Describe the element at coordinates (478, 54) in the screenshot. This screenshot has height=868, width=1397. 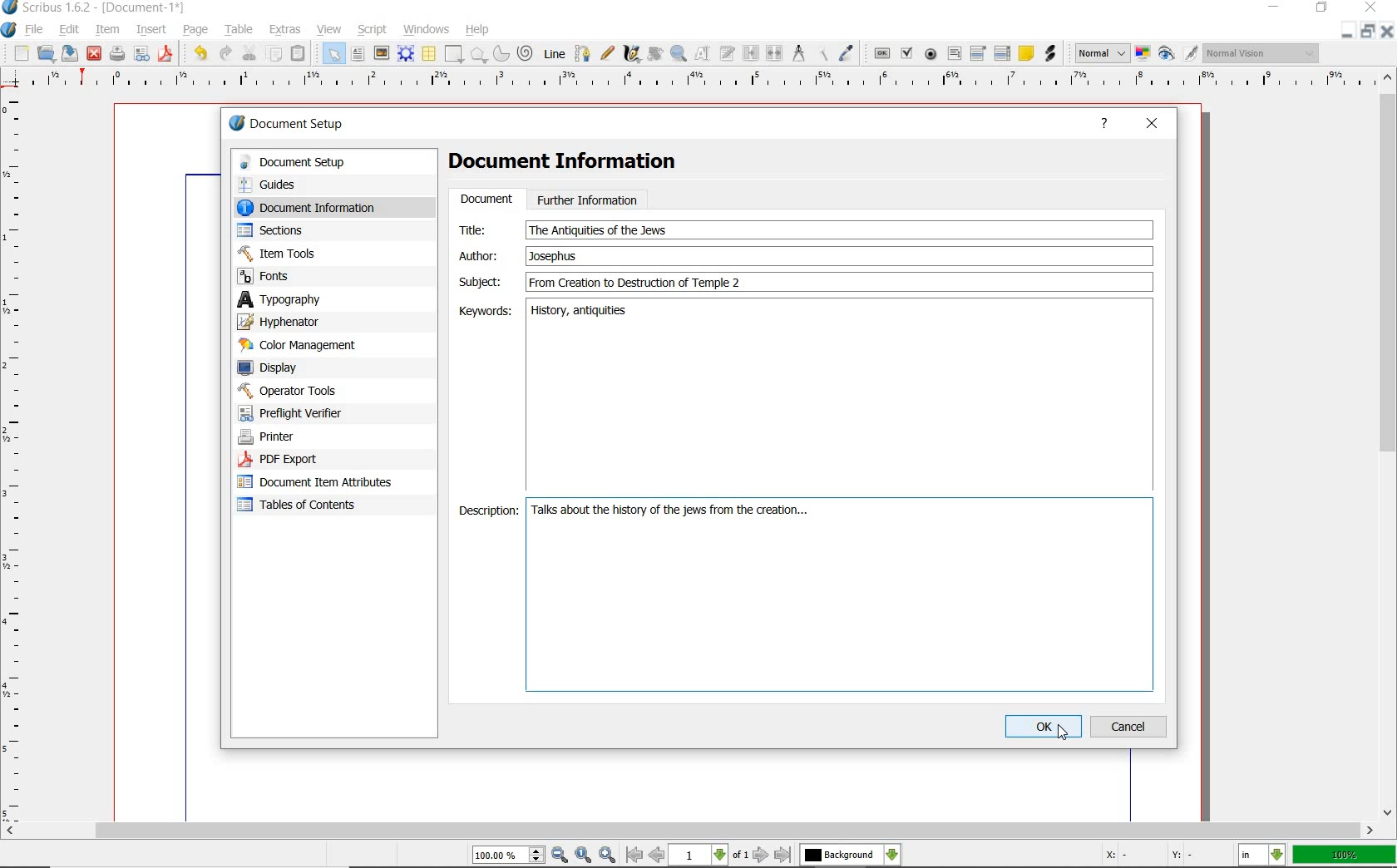
I see `shape` at that location.